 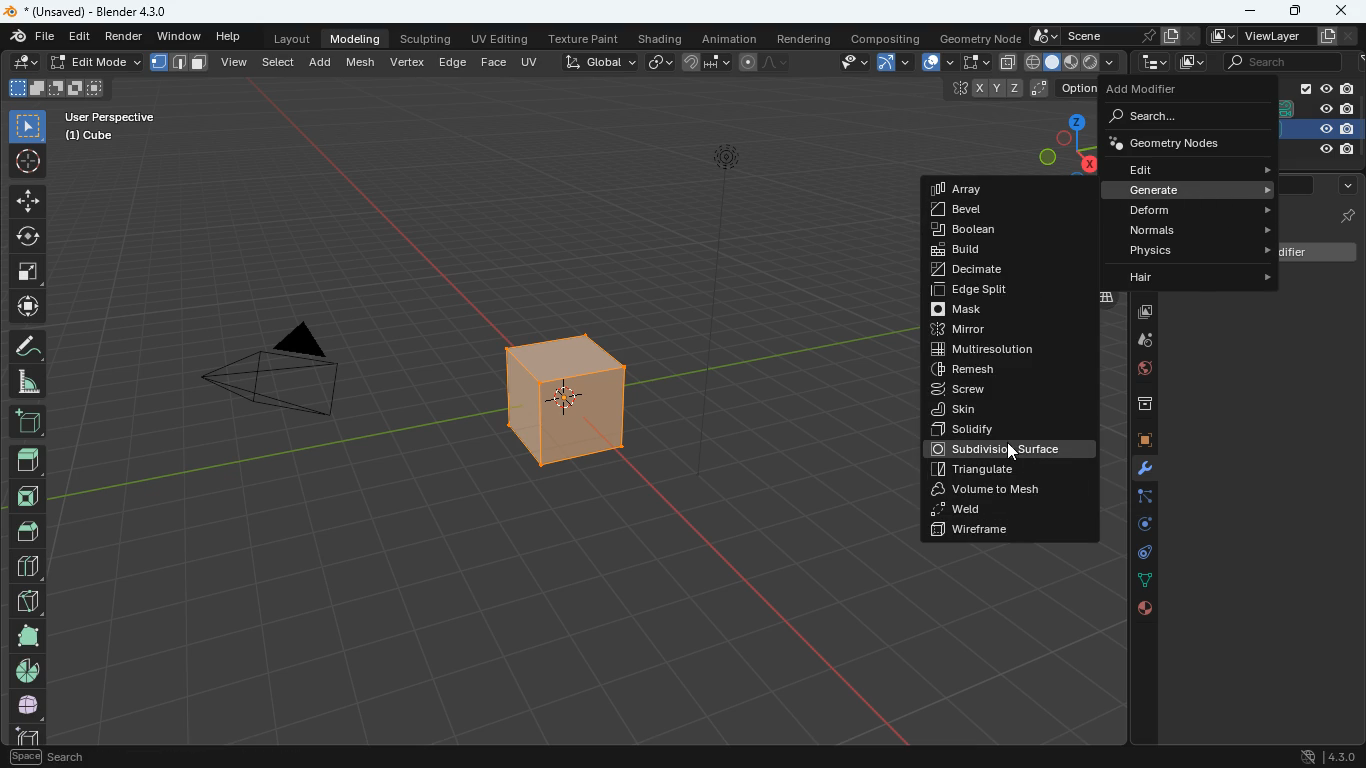 What do you see at coordinates (55, 88) in the screenshot?
I see `shapes` at bounding box center [55, 88].